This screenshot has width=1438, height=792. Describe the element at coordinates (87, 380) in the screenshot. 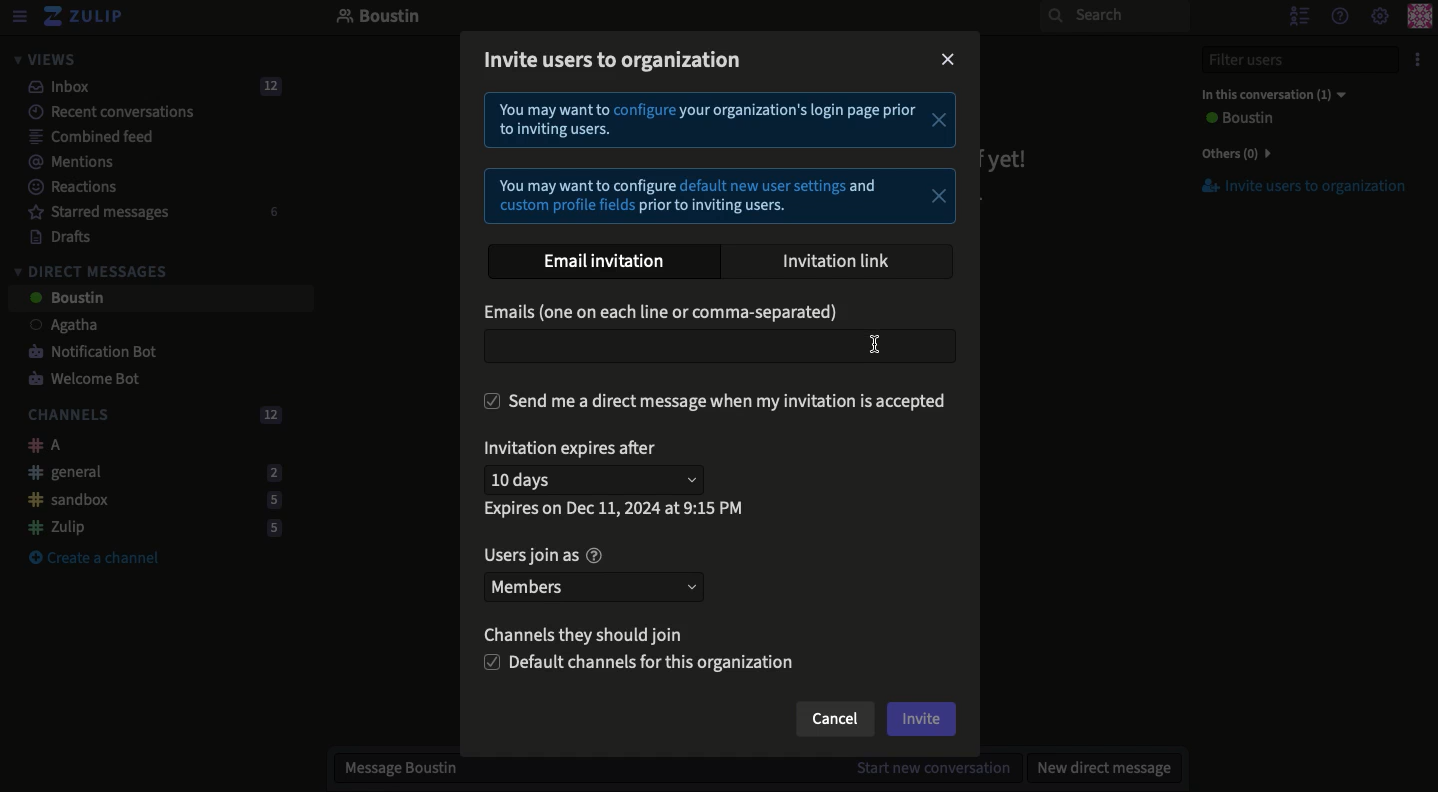

I see `Welcome bot` at that location.